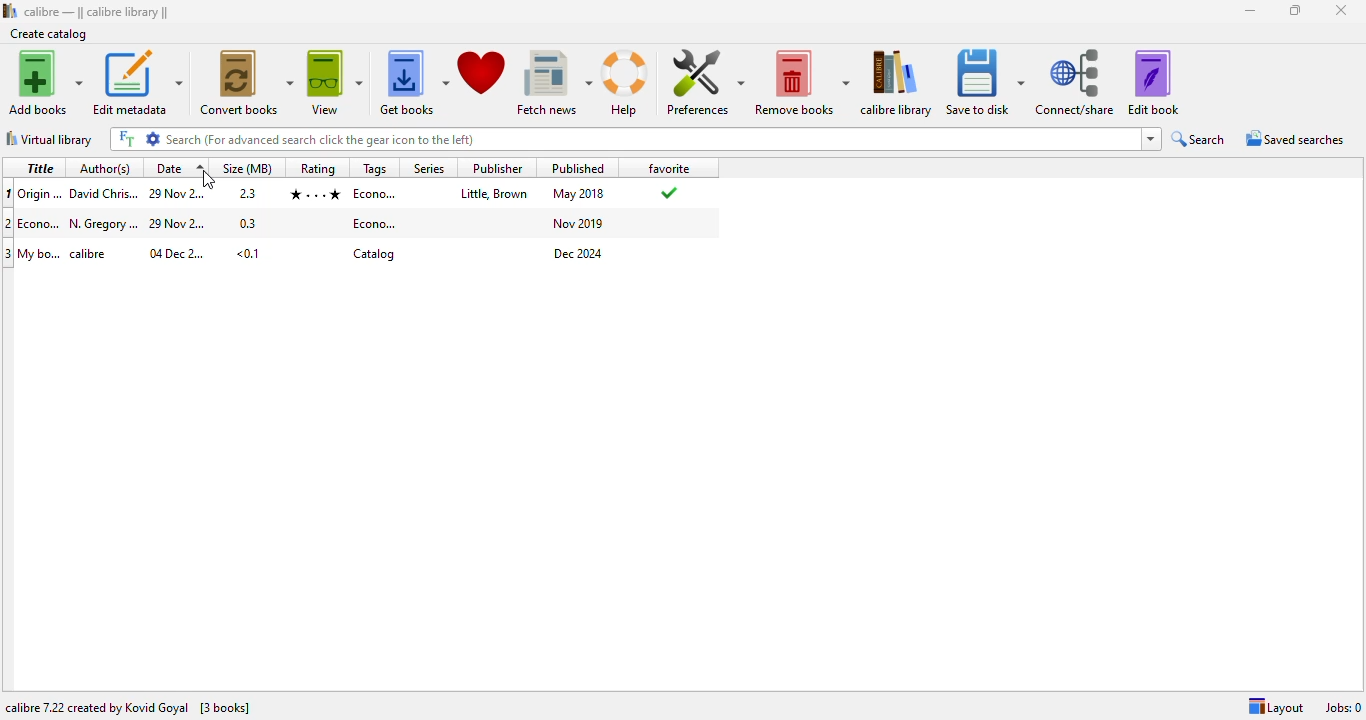  What do you see at coordinates (896, 82) in the screenshot?
I see `calibre library` at bounding box center [896, 82].